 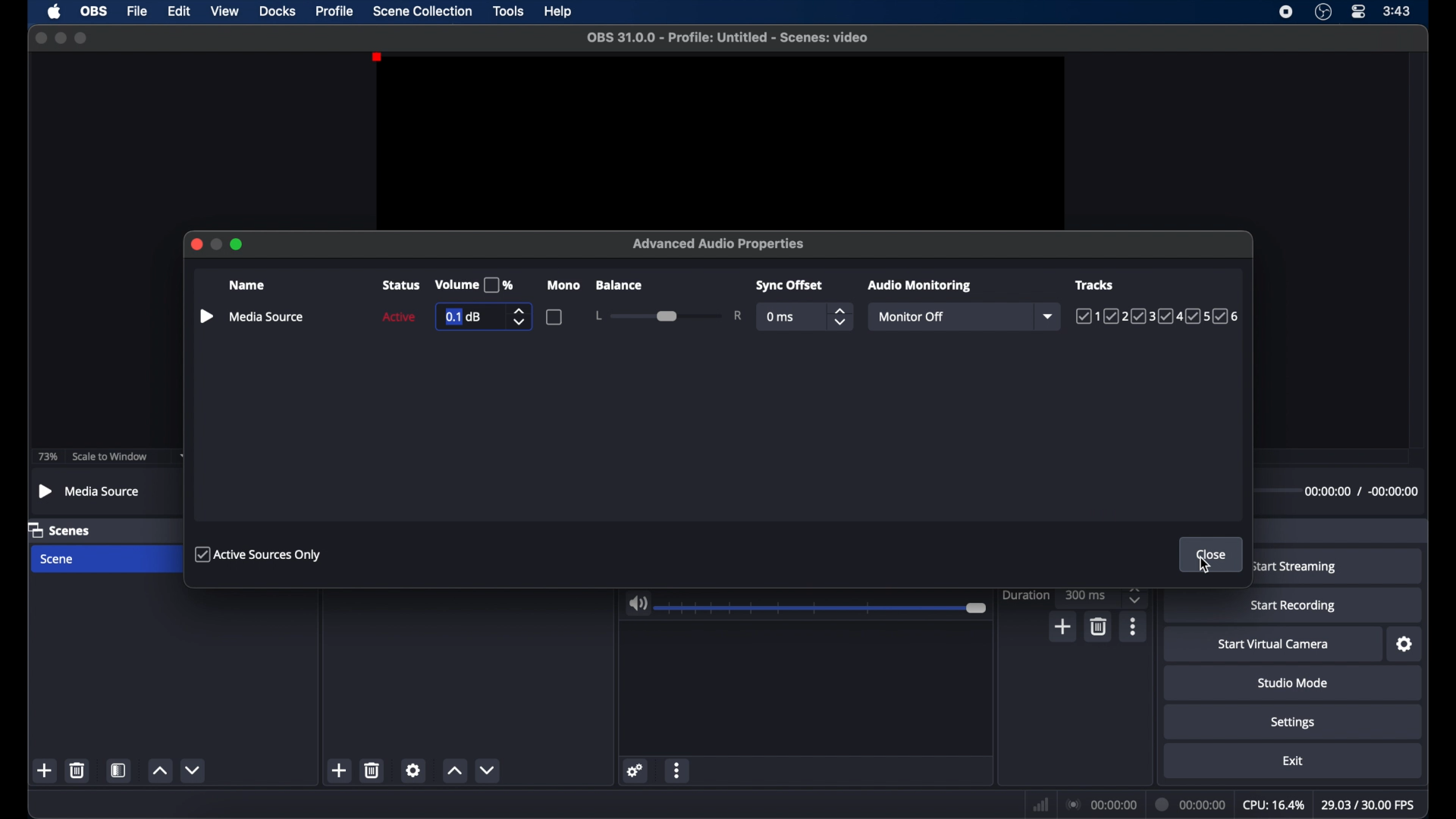 What do you see at coordinates (1357, 11) in the screenshot?
I see `control center` at bounding box center [1357, 11].